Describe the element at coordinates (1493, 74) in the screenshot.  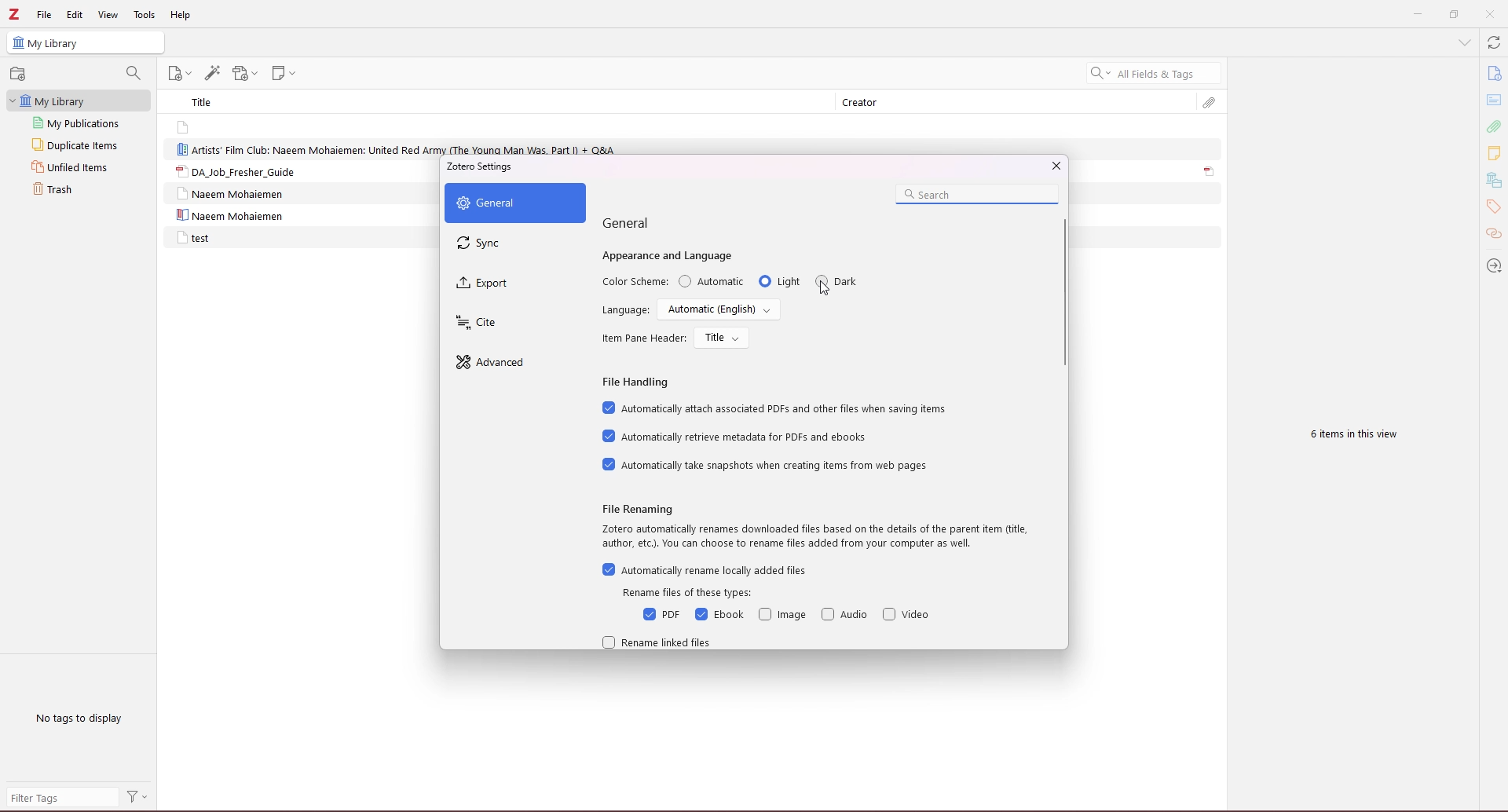
I see `info` at that location.